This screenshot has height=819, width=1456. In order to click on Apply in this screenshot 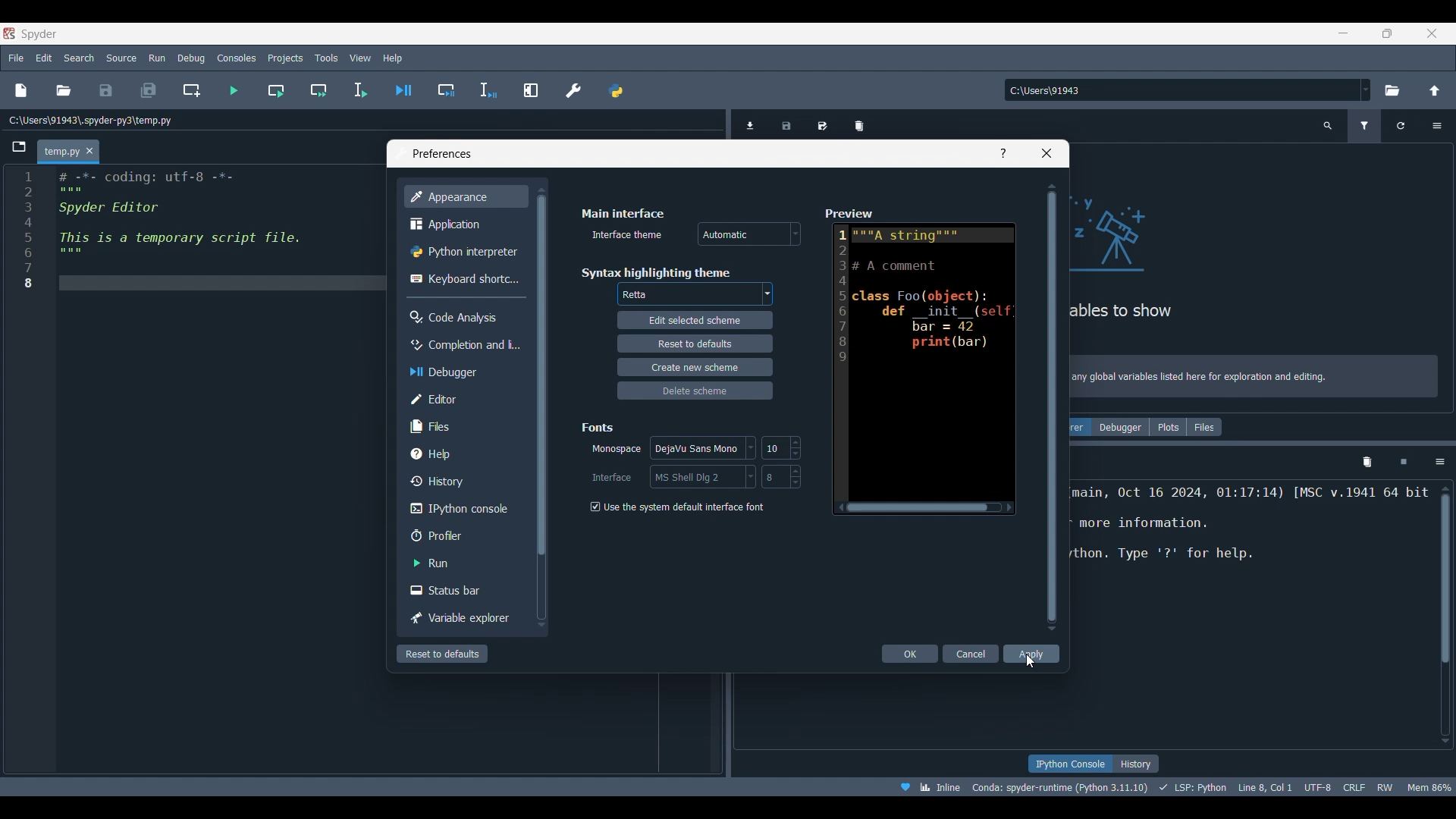, I will do `click(1031, 654)`.